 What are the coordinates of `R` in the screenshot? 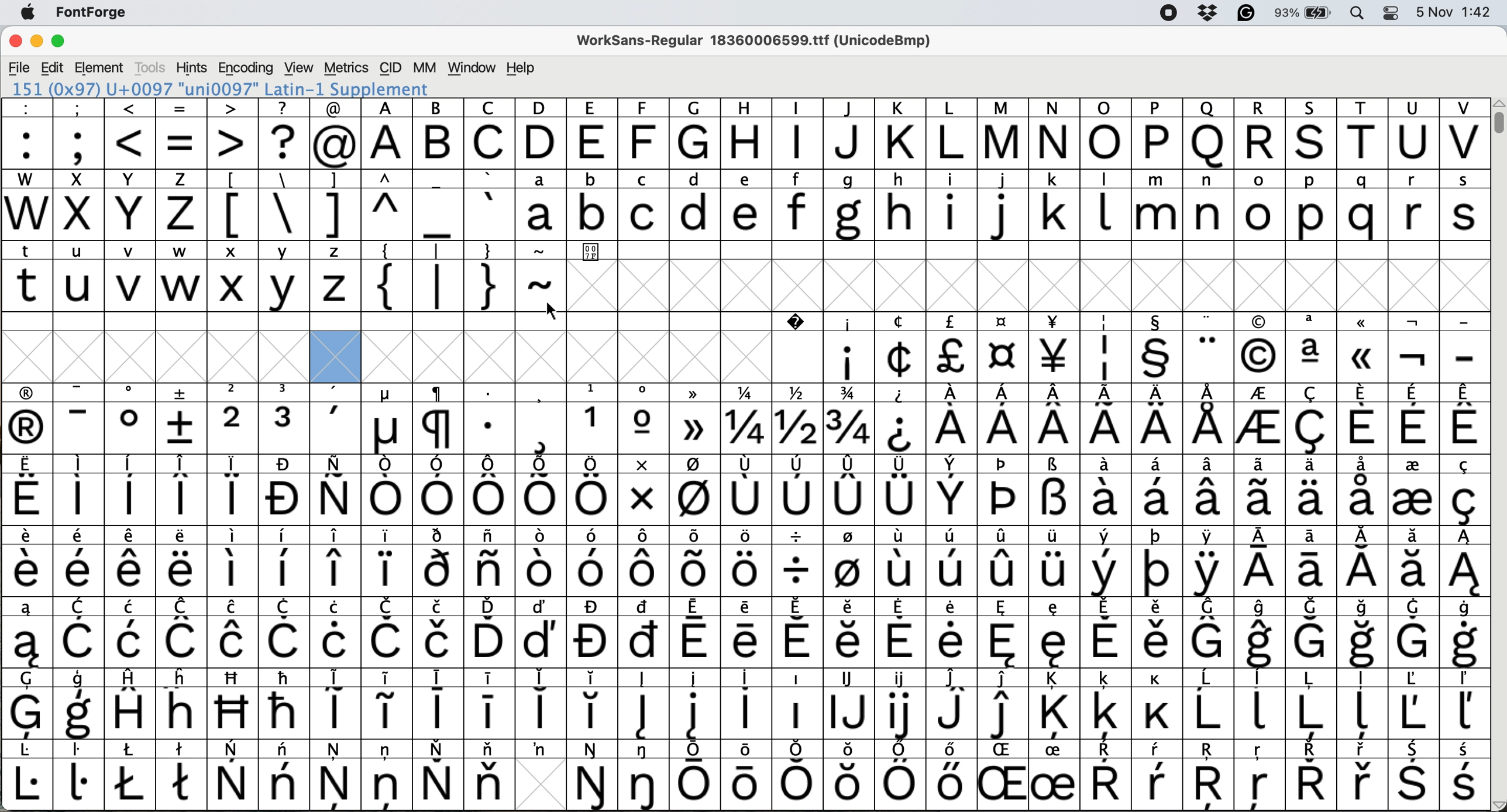 It's located at (1260, 134).